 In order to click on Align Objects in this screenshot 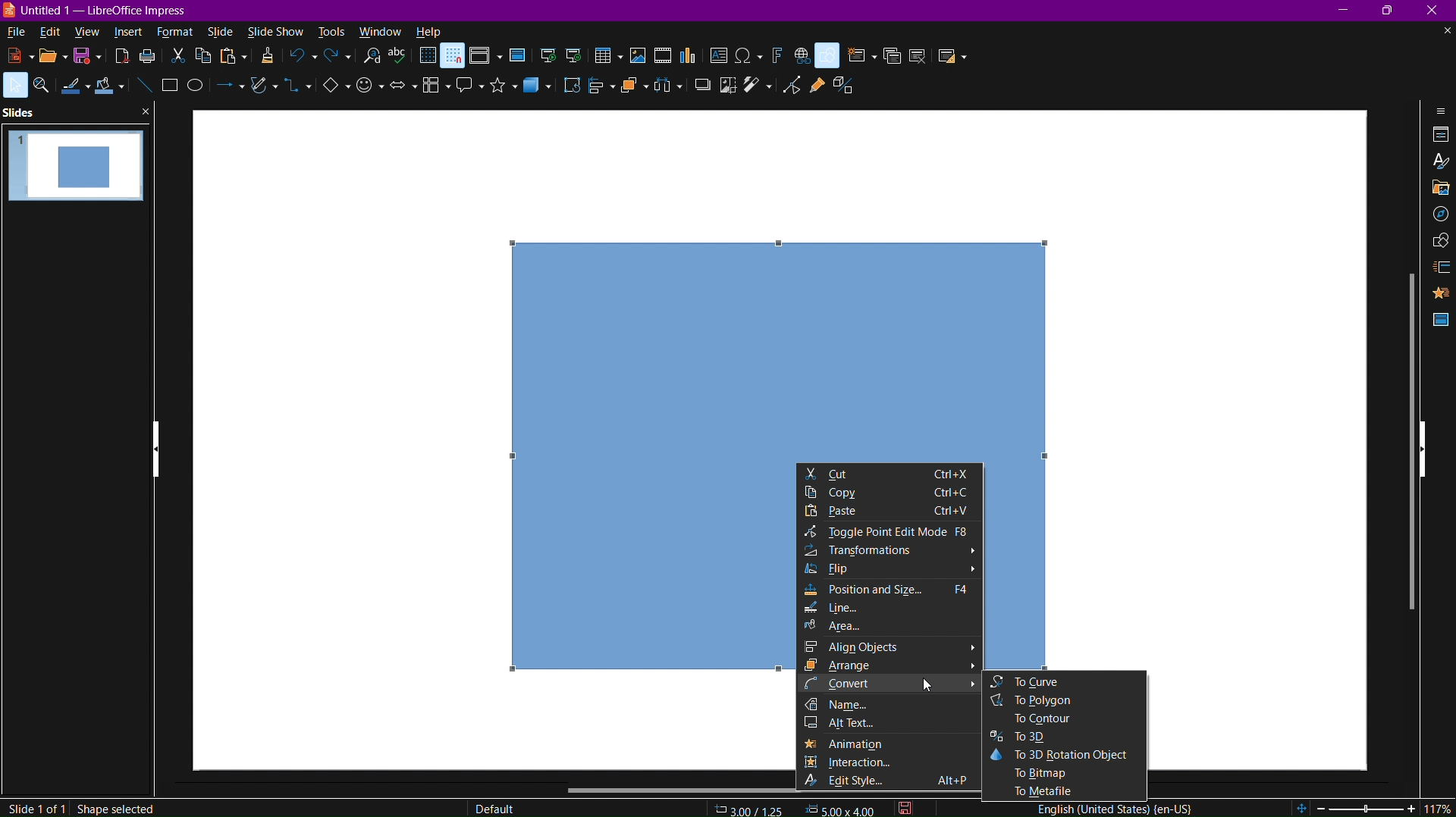, I will do `click(889, 650)`.